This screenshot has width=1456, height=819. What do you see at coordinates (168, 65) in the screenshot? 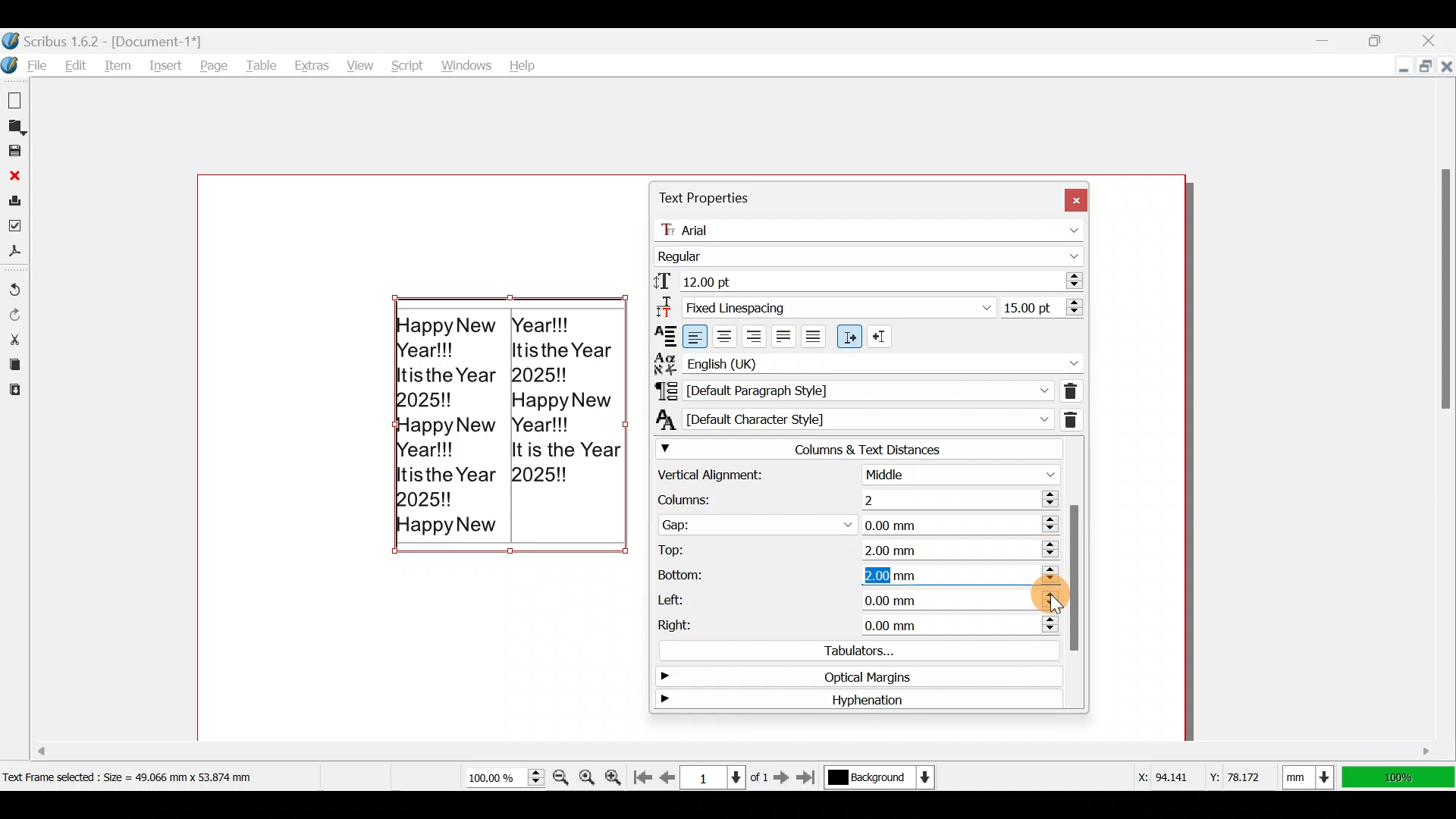
I see `Insert` at bounding box center [168, 65].